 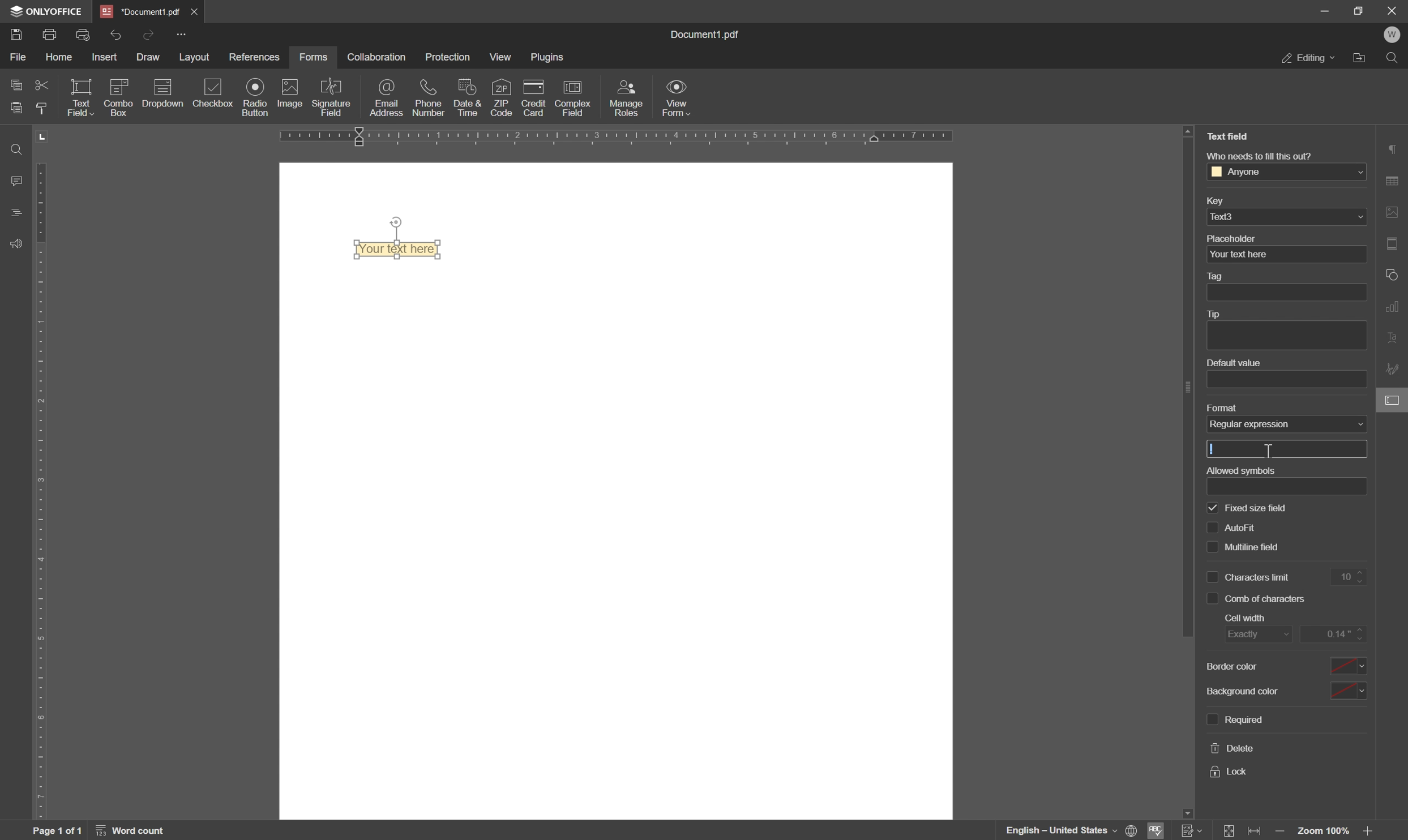 What do you see at coordinates (1192, 831) in the screenshot?
I see `track changes` at bounding box center [1192, 831].